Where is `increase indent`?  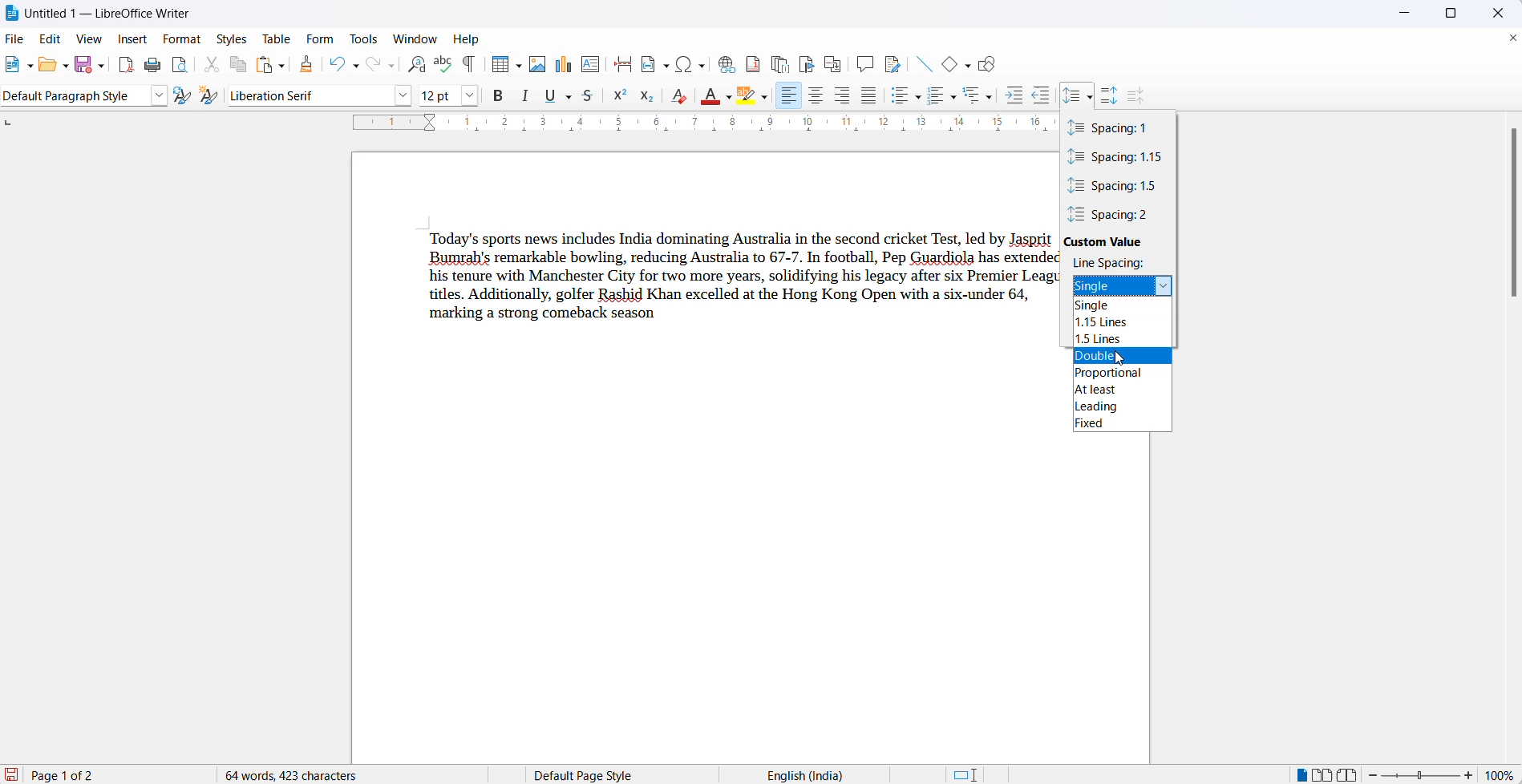 increase indent is located at coordinates (1017, 96).